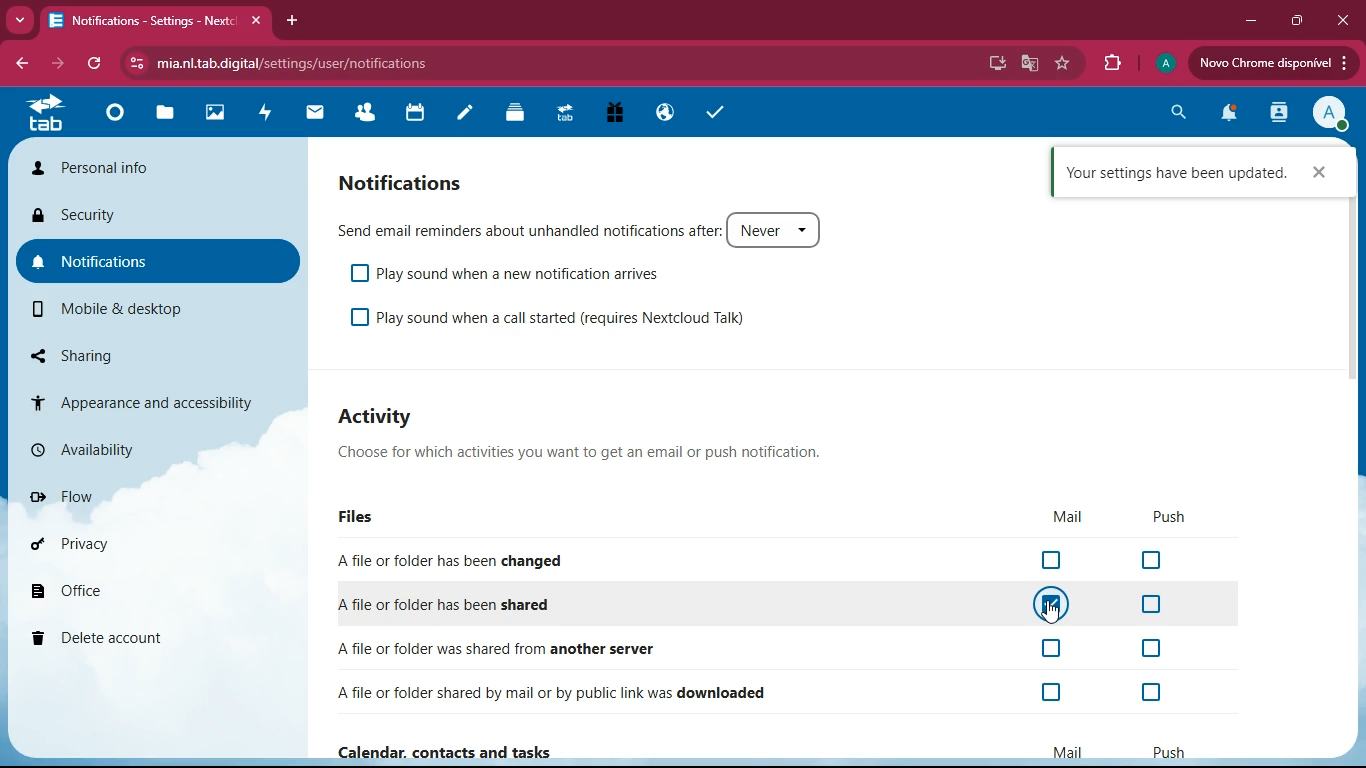  Describe the element at coordinates (562, 116) in the screenshot. I see `tab` at that location.